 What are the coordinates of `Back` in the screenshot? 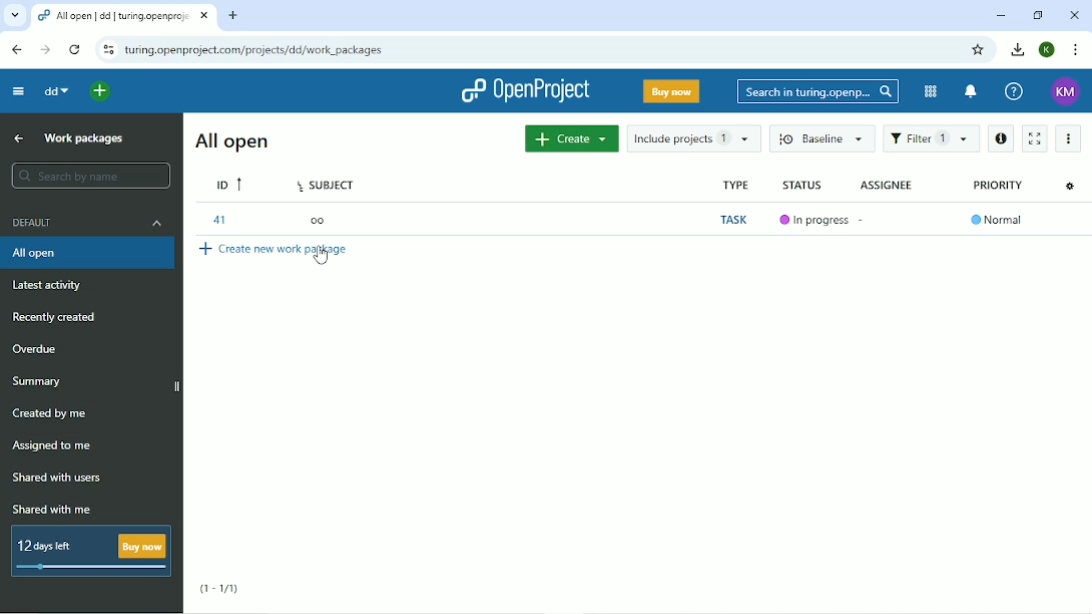 It's located at (17, 50).